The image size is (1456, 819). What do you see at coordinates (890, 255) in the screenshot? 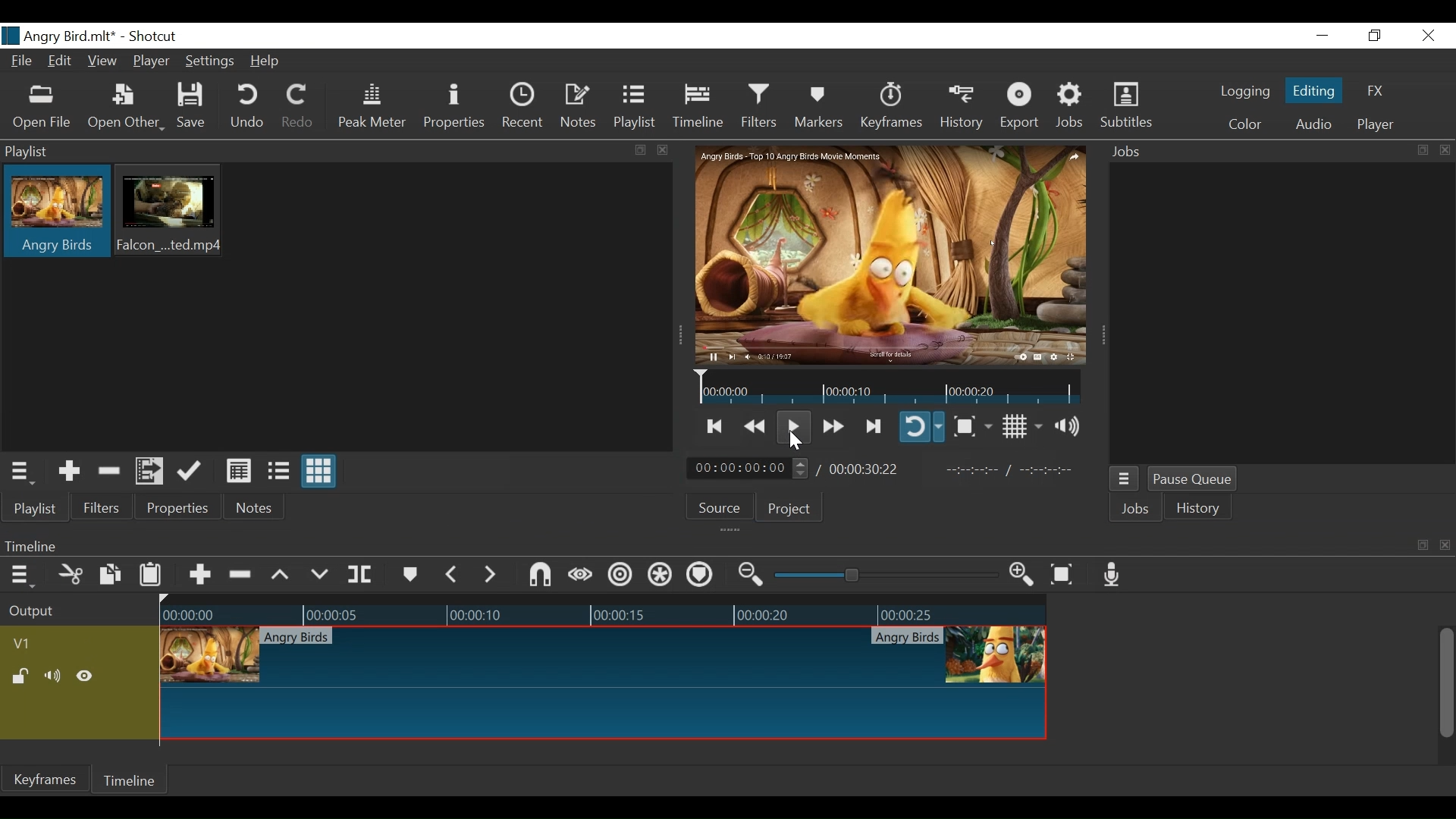
I see `Media Viewer` at bounding box center [890, 255].